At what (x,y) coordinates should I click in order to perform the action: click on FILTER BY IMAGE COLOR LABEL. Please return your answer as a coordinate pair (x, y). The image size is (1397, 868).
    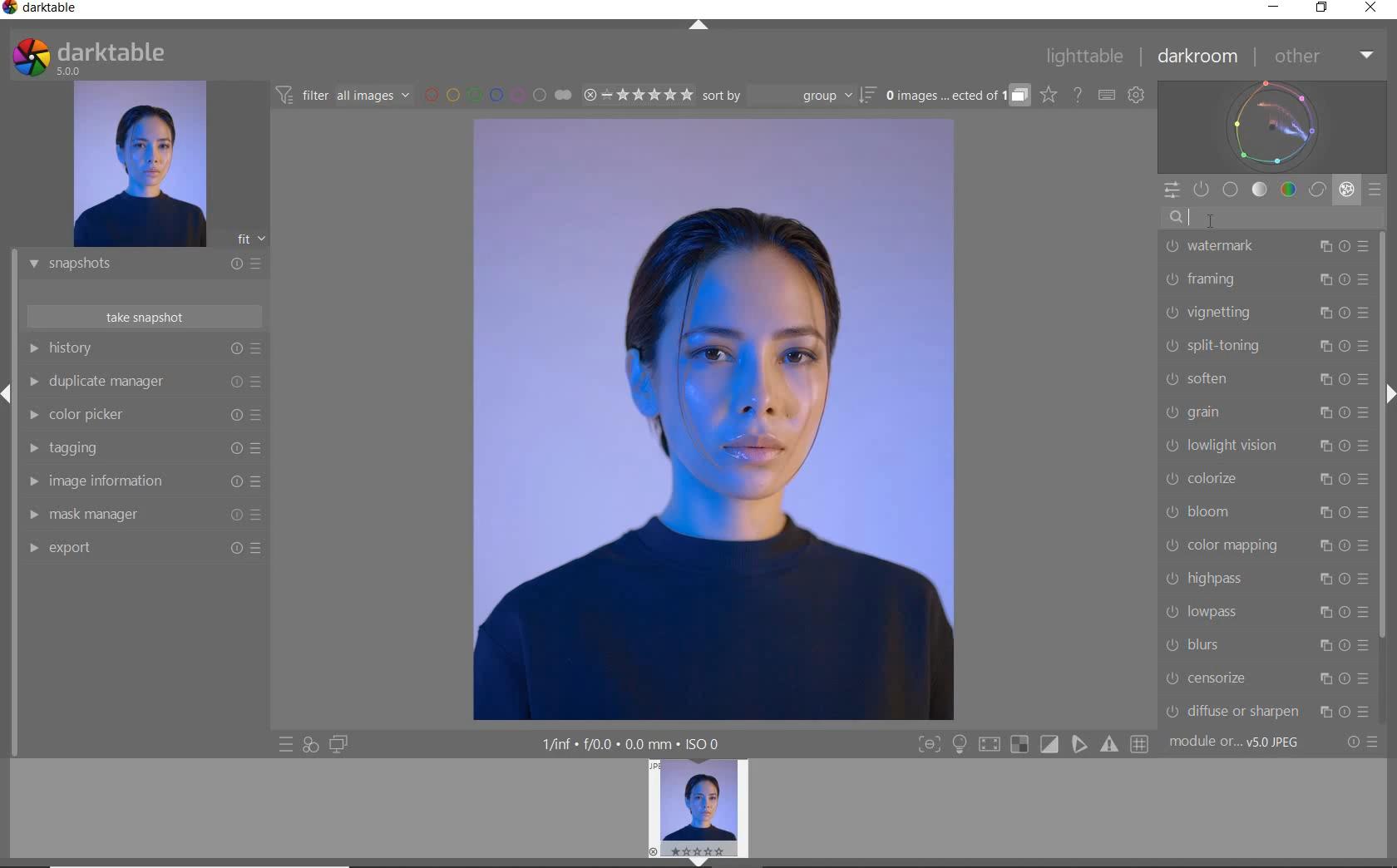
    Looking at the image, I should click on (498, 94).